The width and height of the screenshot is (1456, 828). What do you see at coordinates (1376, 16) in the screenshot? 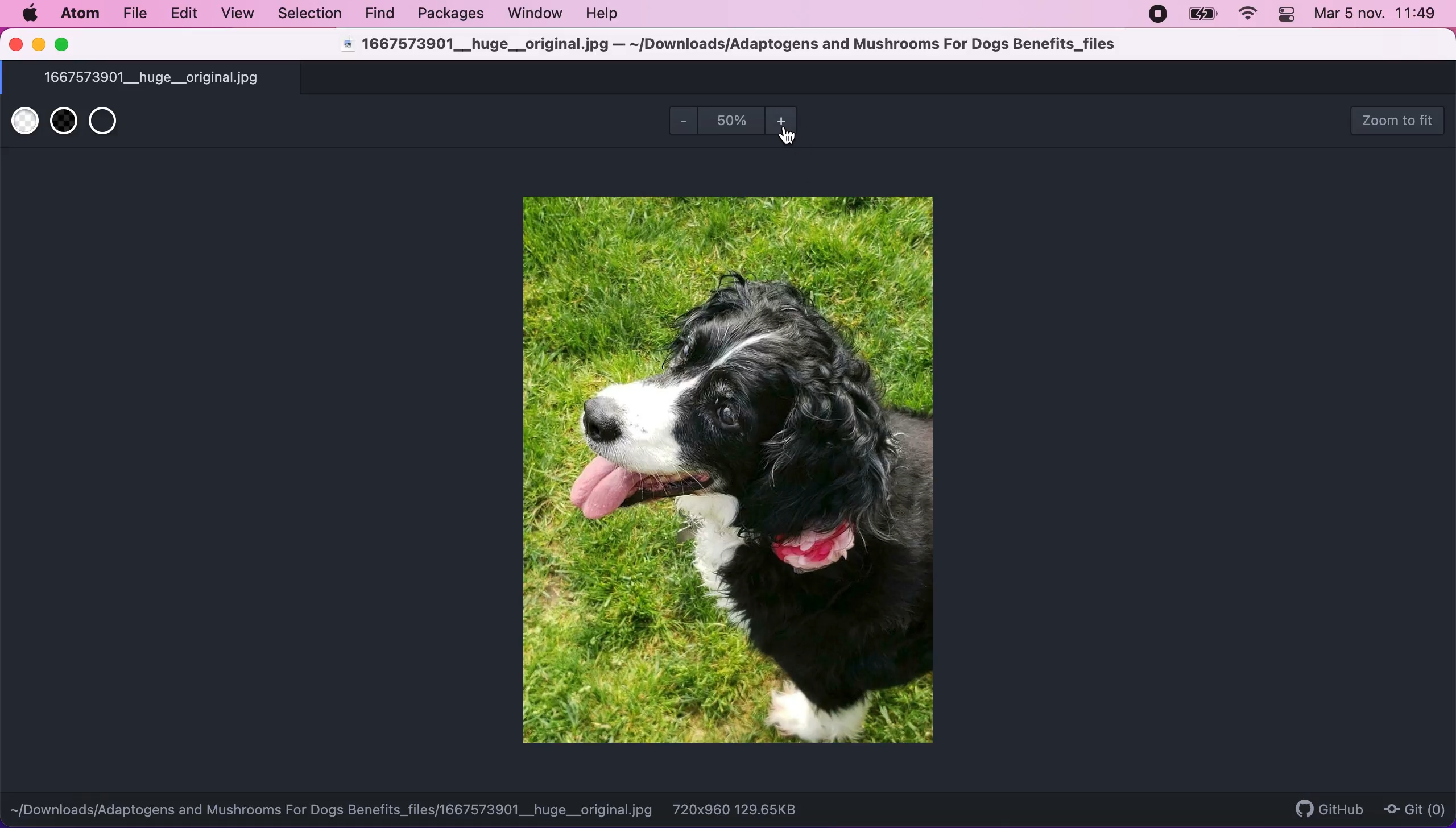
I see `mar 5 nov, 11:49` at bounding box center [1376, 16].